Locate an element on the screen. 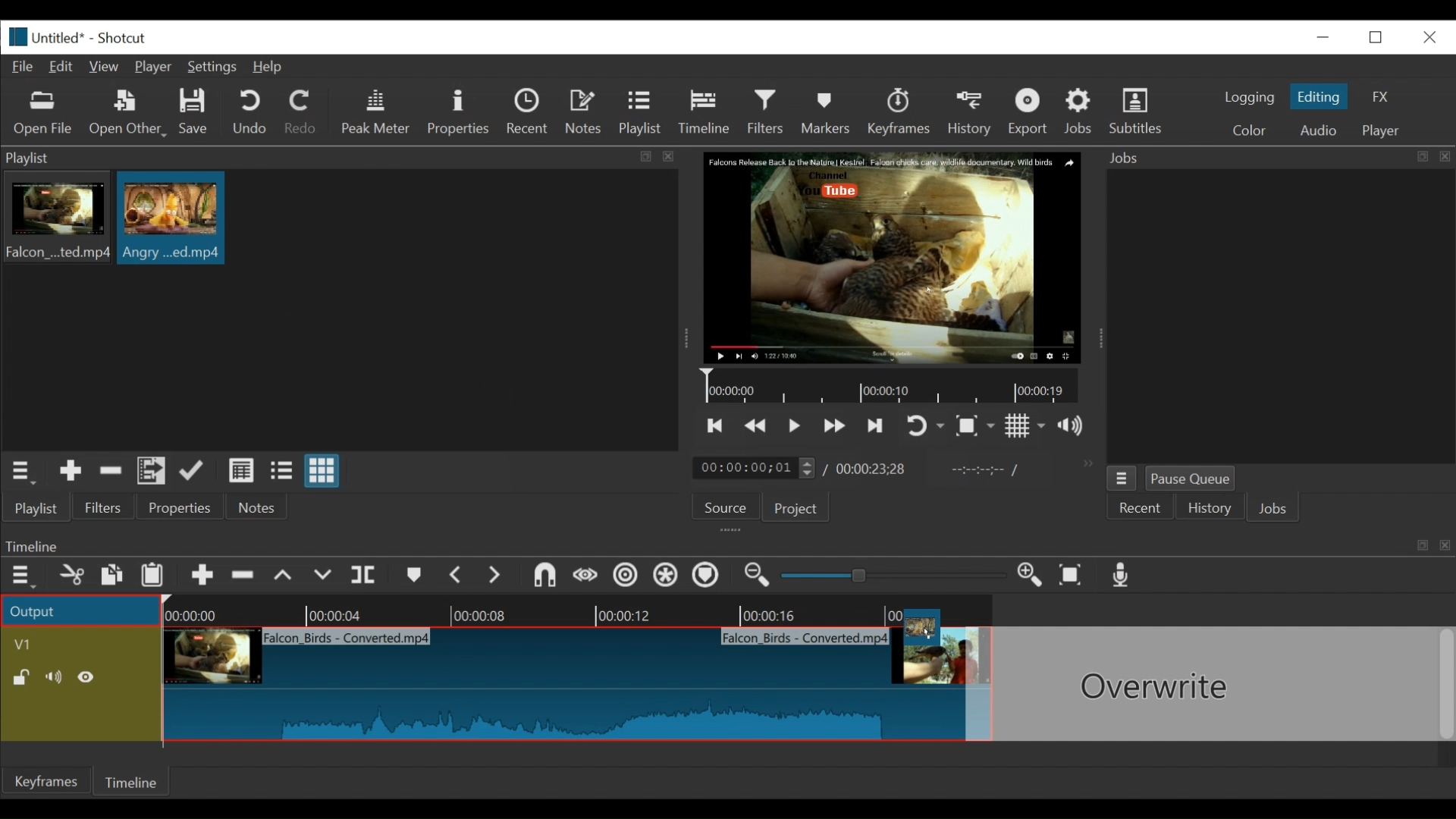  Keyframes is located at coordinates (48, 781).